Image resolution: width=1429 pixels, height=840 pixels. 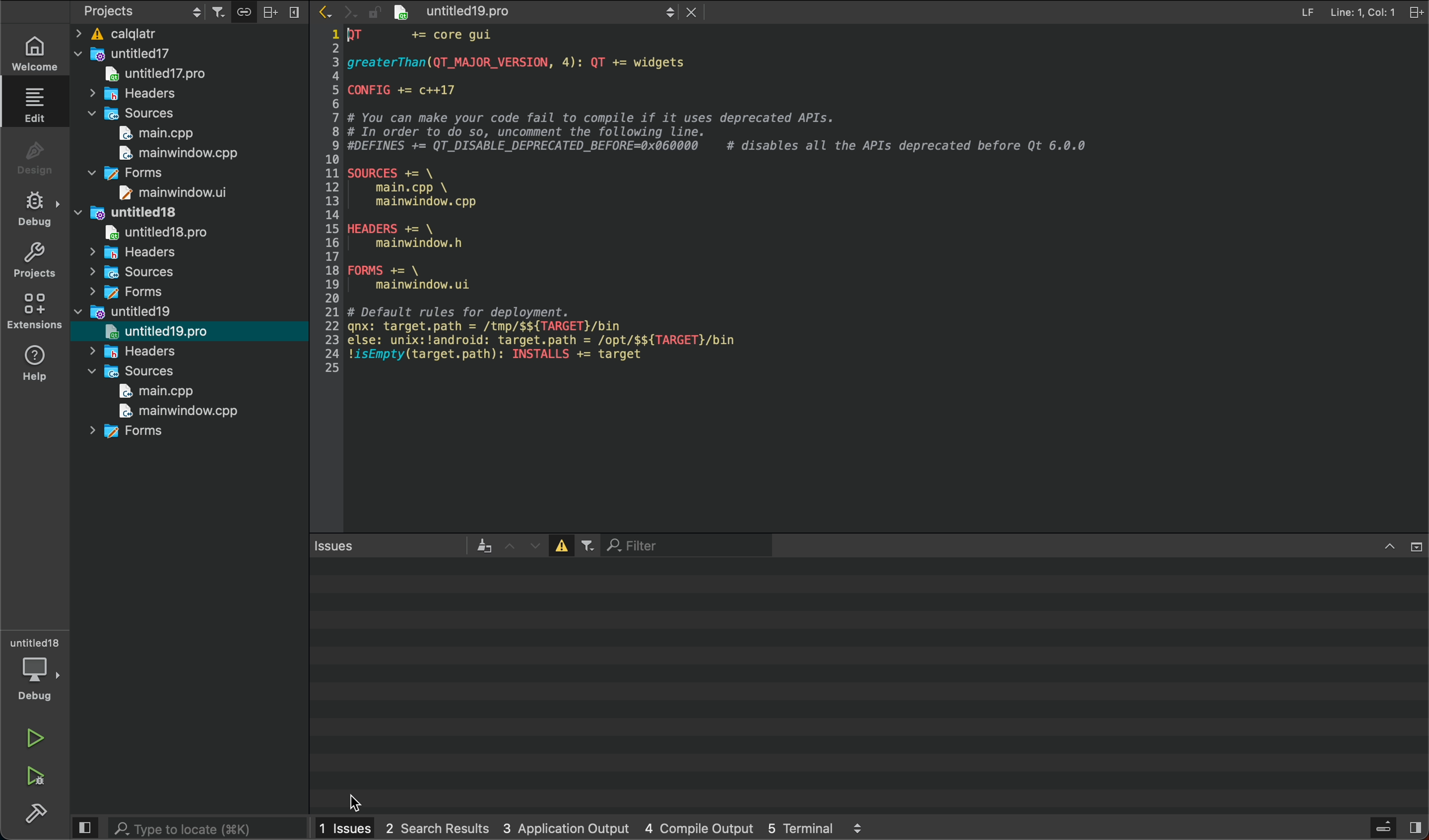 What do you see at coordinates (816, 826) in the screenshot?
I see `5 terminal` at bounding box center [816, 826].